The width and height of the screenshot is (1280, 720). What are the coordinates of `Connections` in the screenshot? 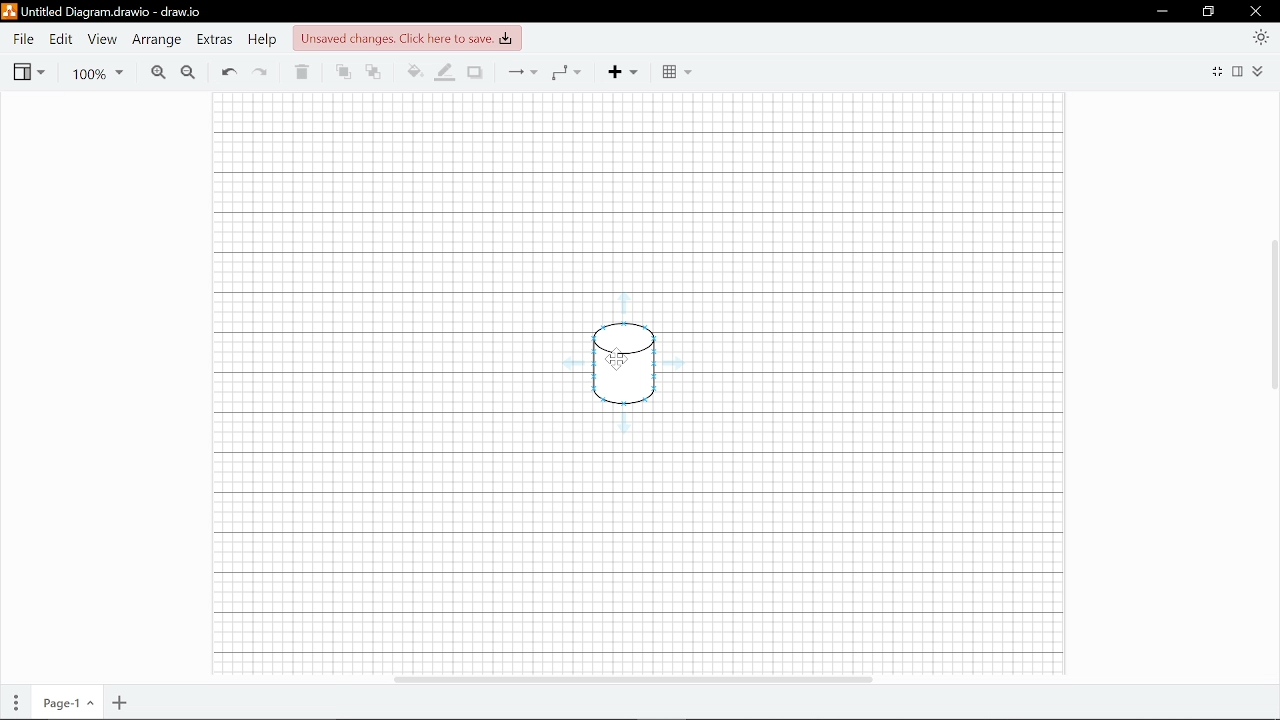 It's located at (519, 72).